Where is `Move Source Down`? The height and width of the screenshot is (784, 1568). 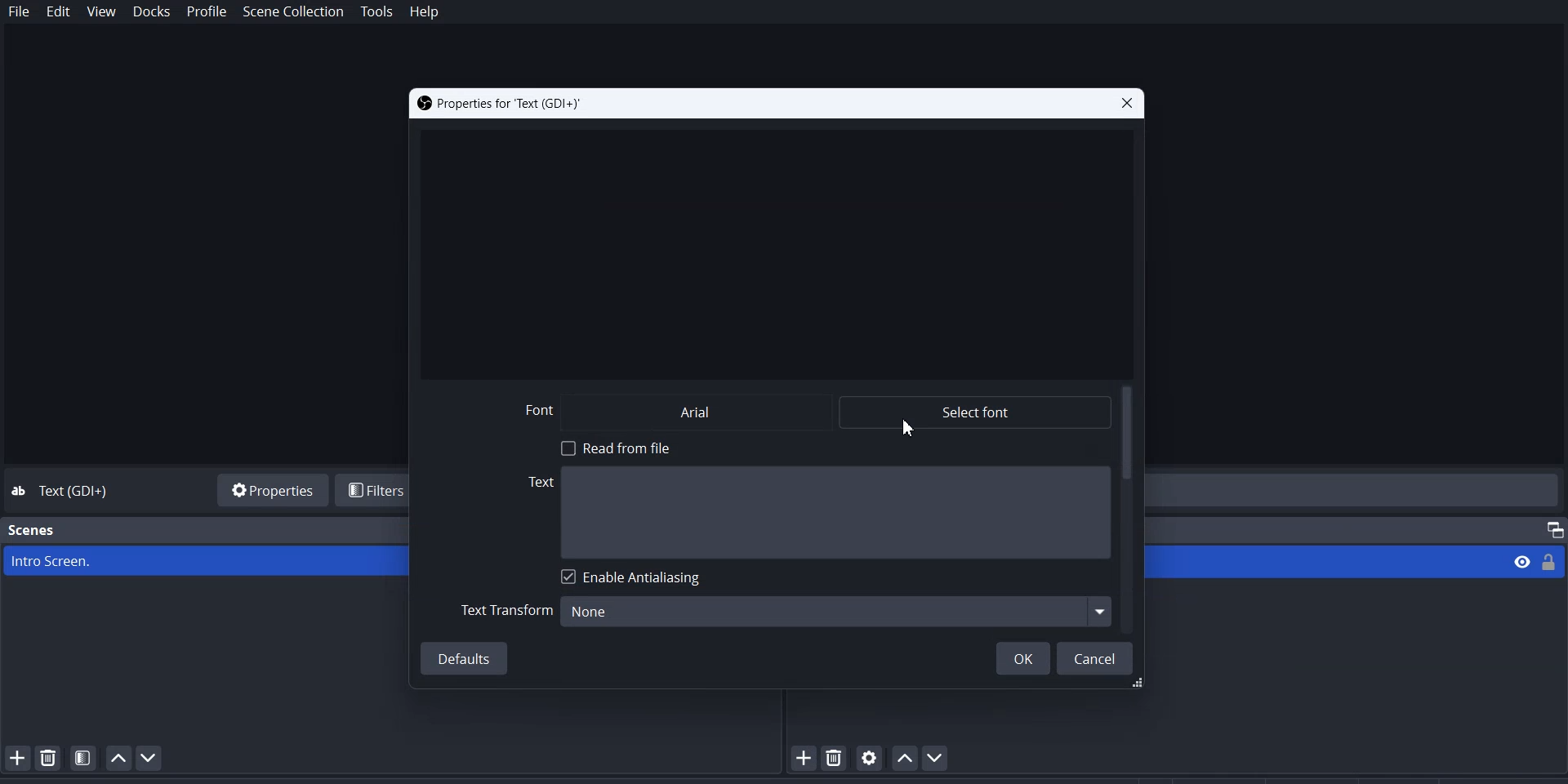 Move Source Down is located at coordinates (940, 756).